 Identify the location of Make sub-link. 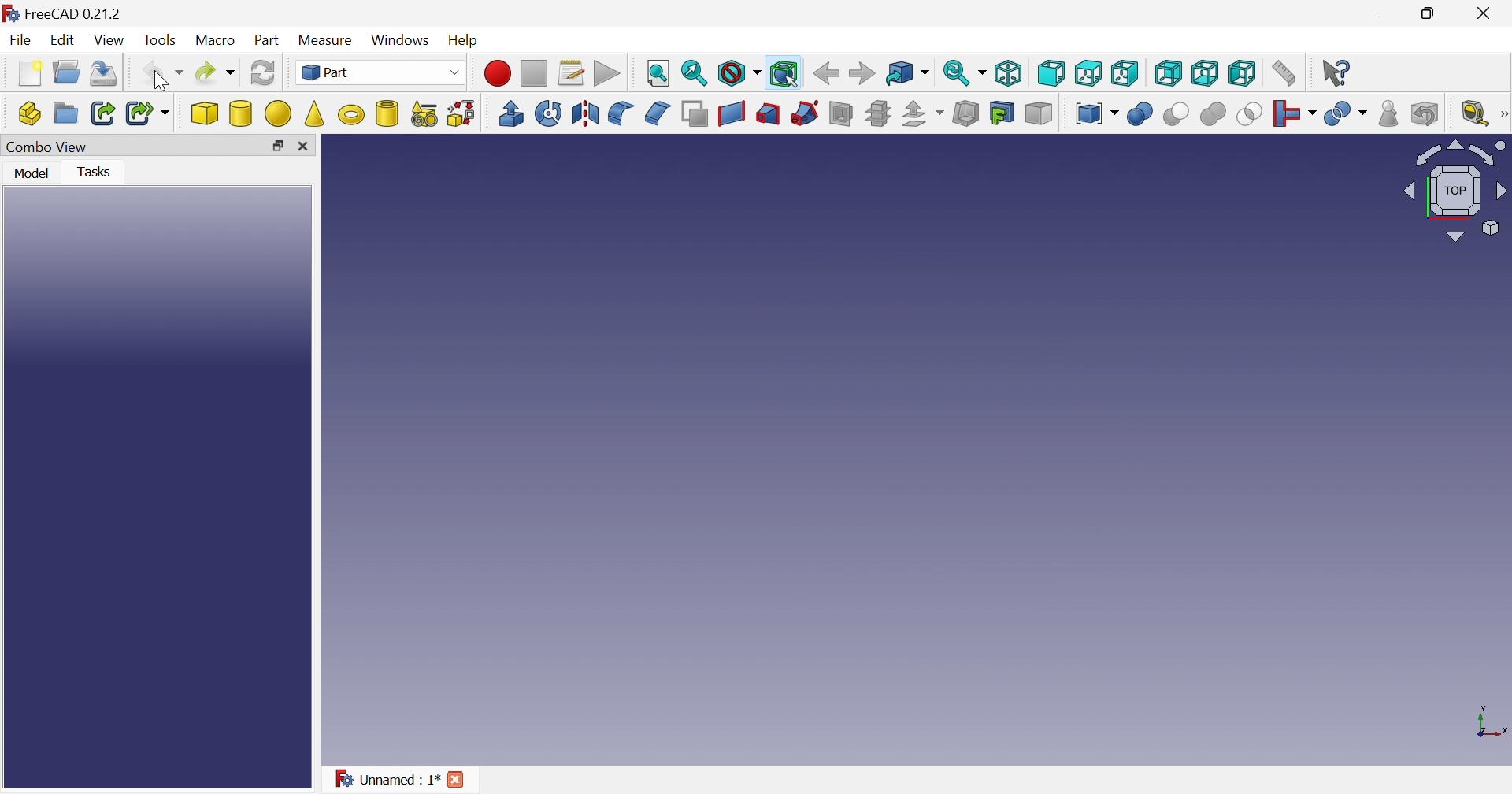
(150, 113).